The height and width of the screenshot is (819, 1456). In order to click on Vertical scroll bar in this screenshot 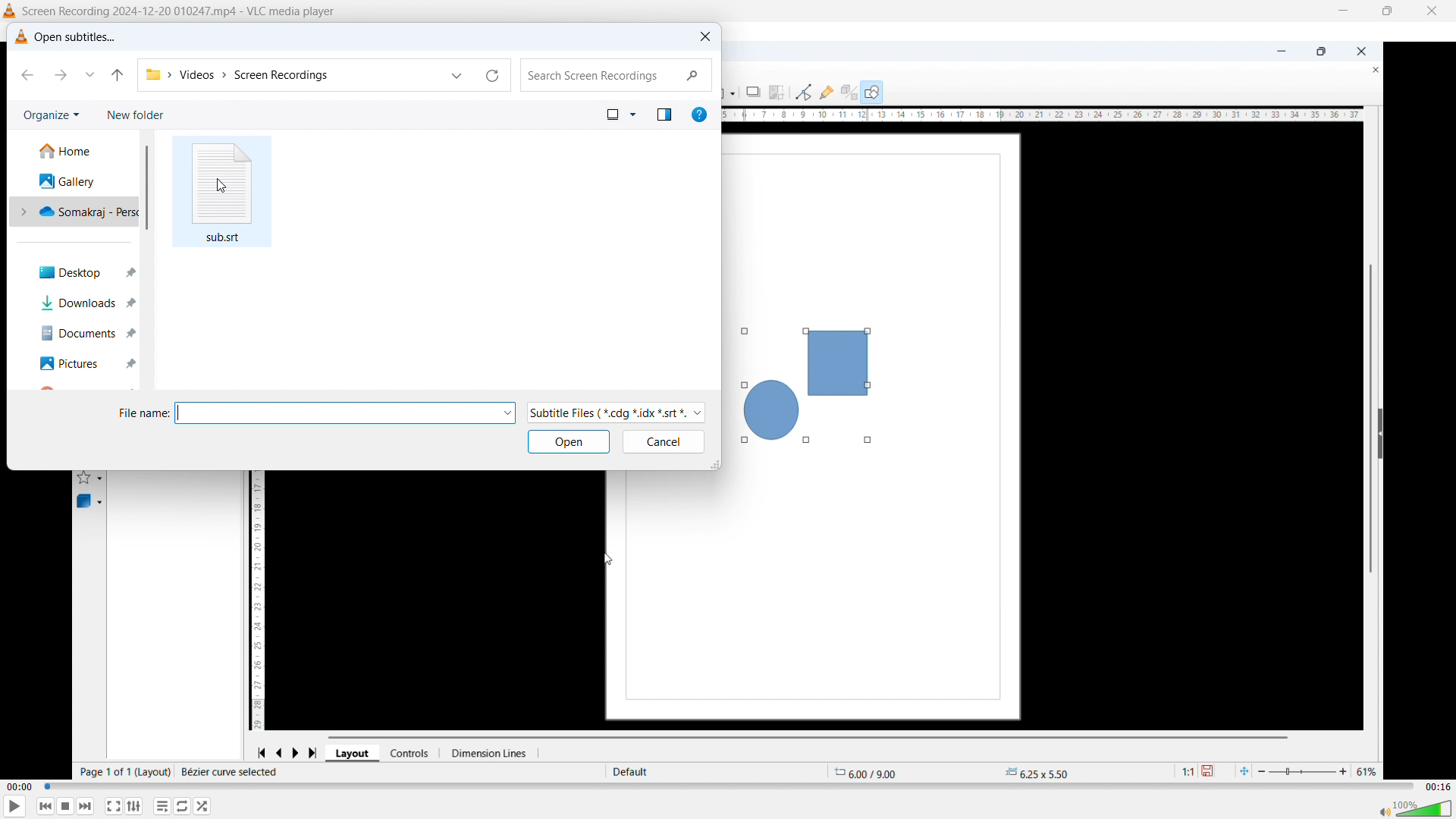, I will do `click(146, 188)`.